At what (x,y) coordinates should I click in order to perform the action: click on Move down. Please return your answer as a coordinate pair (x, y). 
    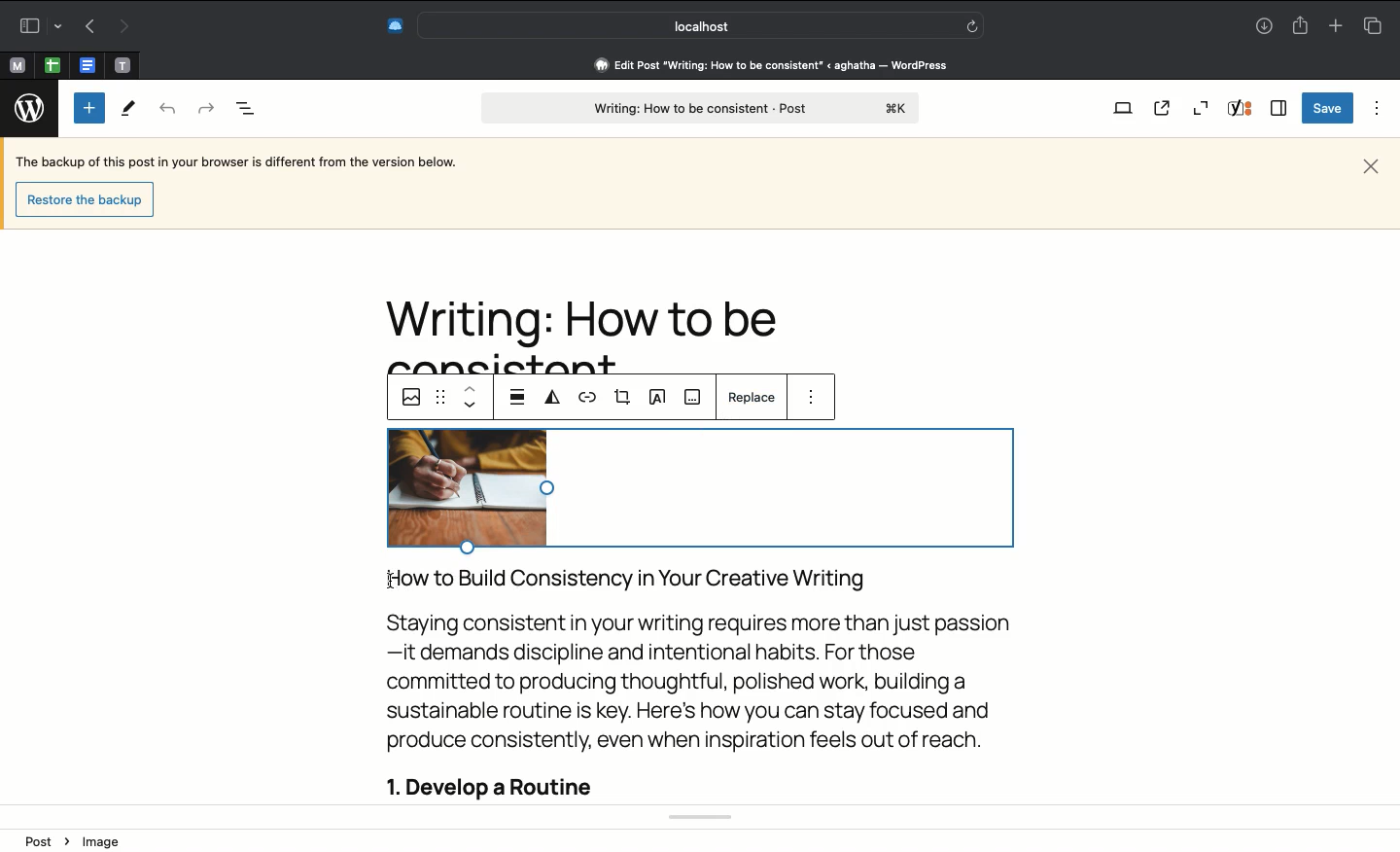
    Looking at the image, I should click on (473, 399).